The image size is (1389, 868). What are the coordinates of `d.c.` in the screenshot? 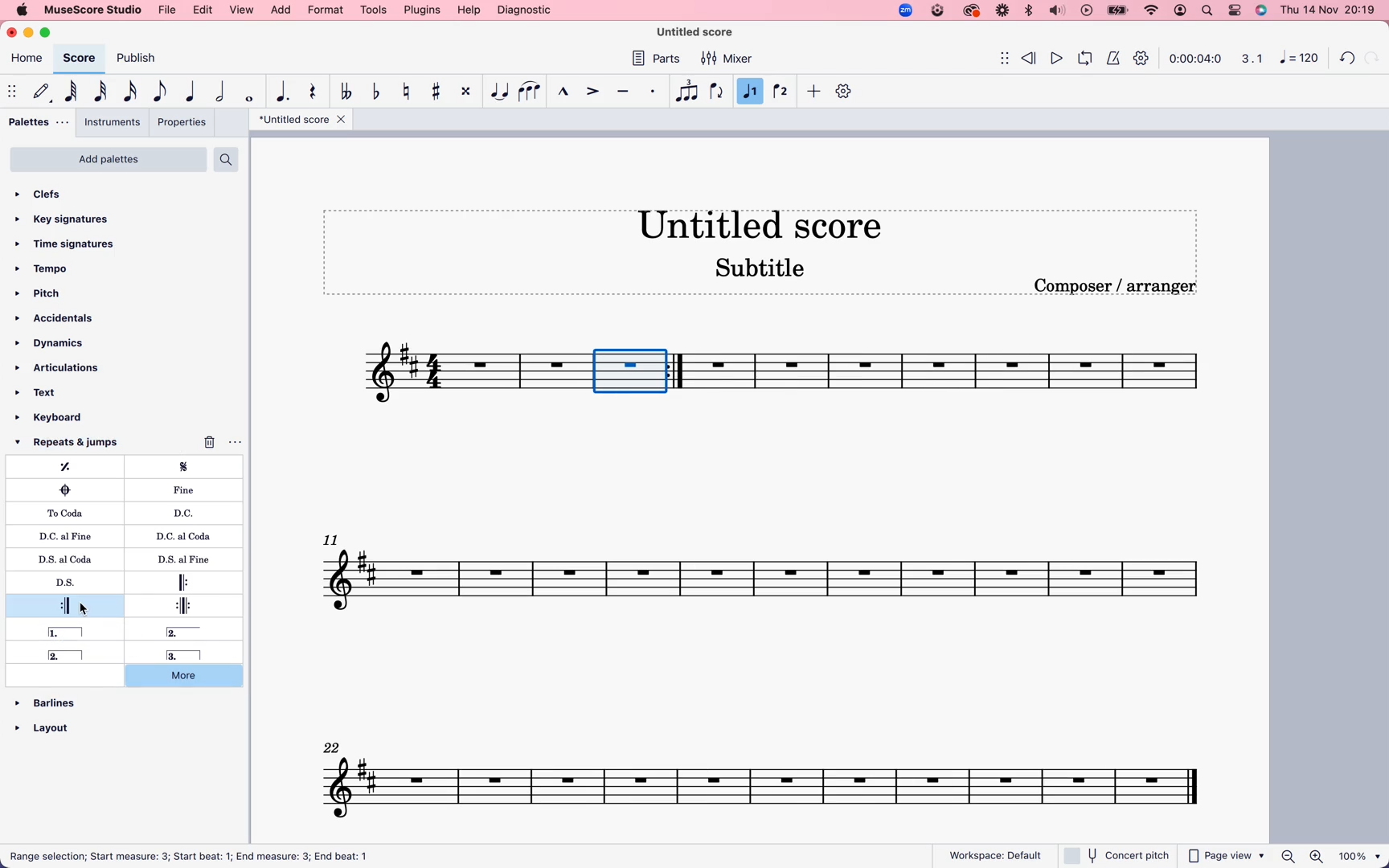 It's located at (186, 513).